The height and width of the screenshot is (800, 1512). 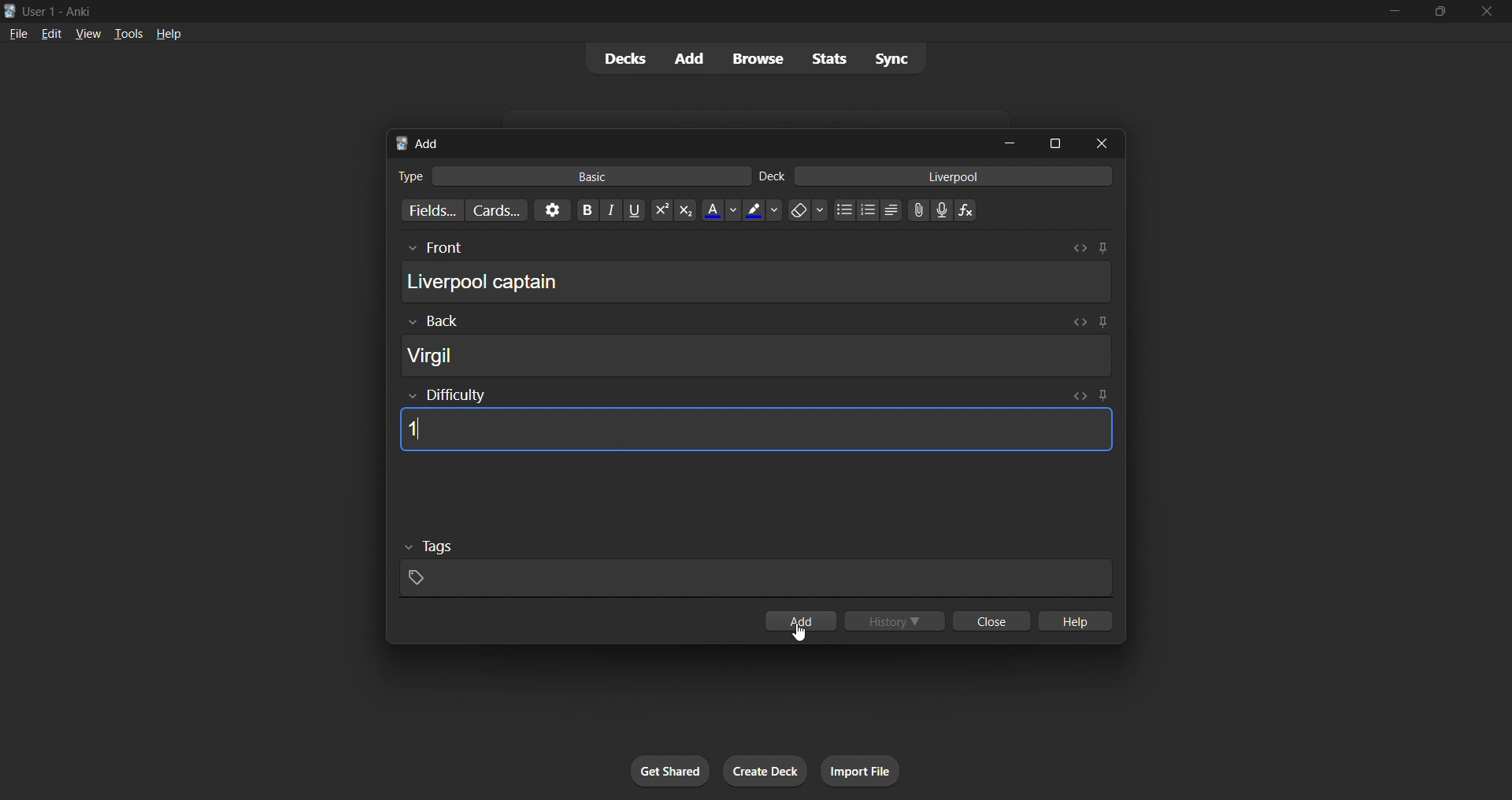 I want to click on maximize, so click(x=1054, y=143).